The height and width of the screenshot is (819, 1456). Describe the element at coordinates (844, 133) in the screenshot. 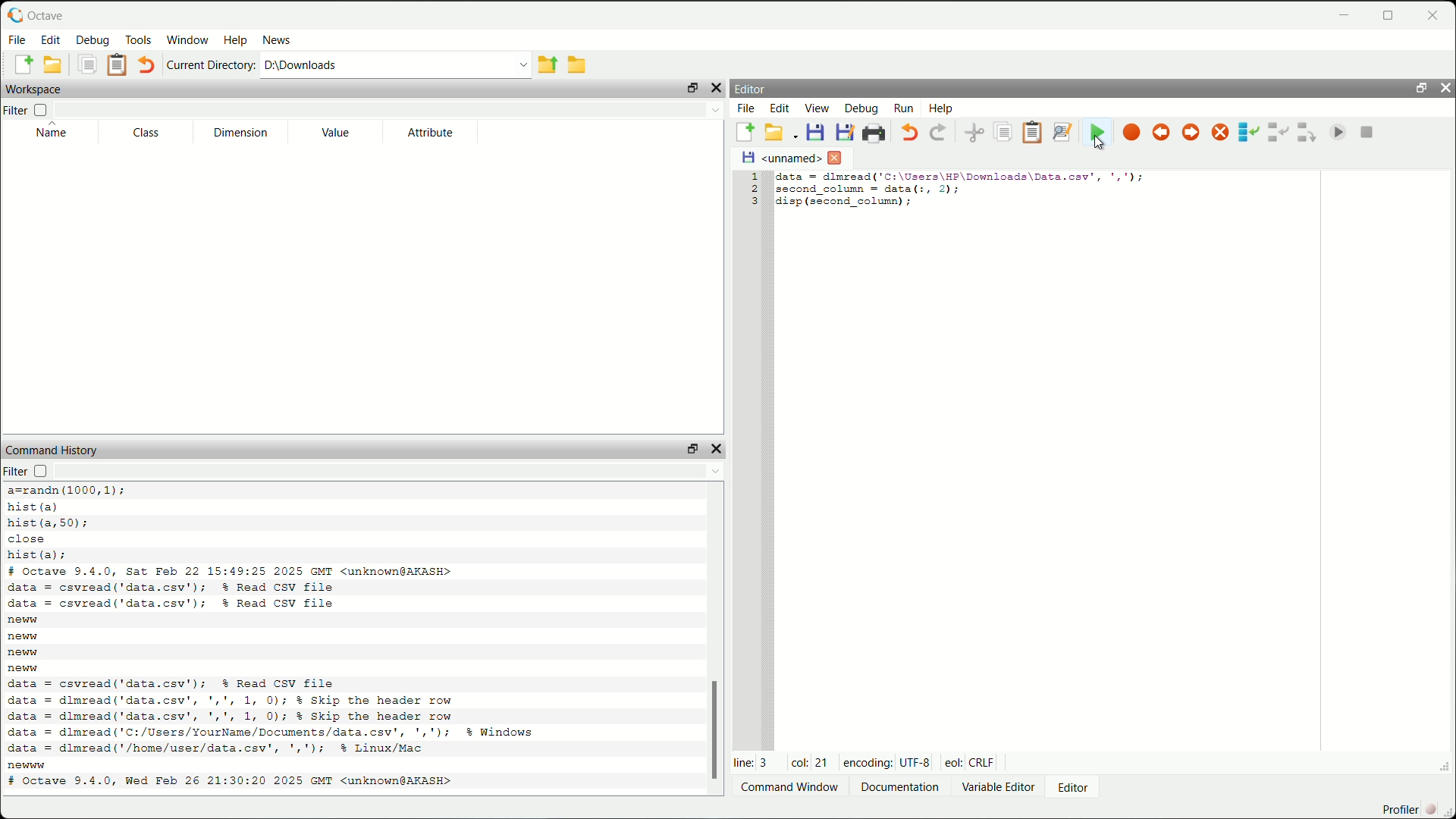

I see `save file as` at that location.